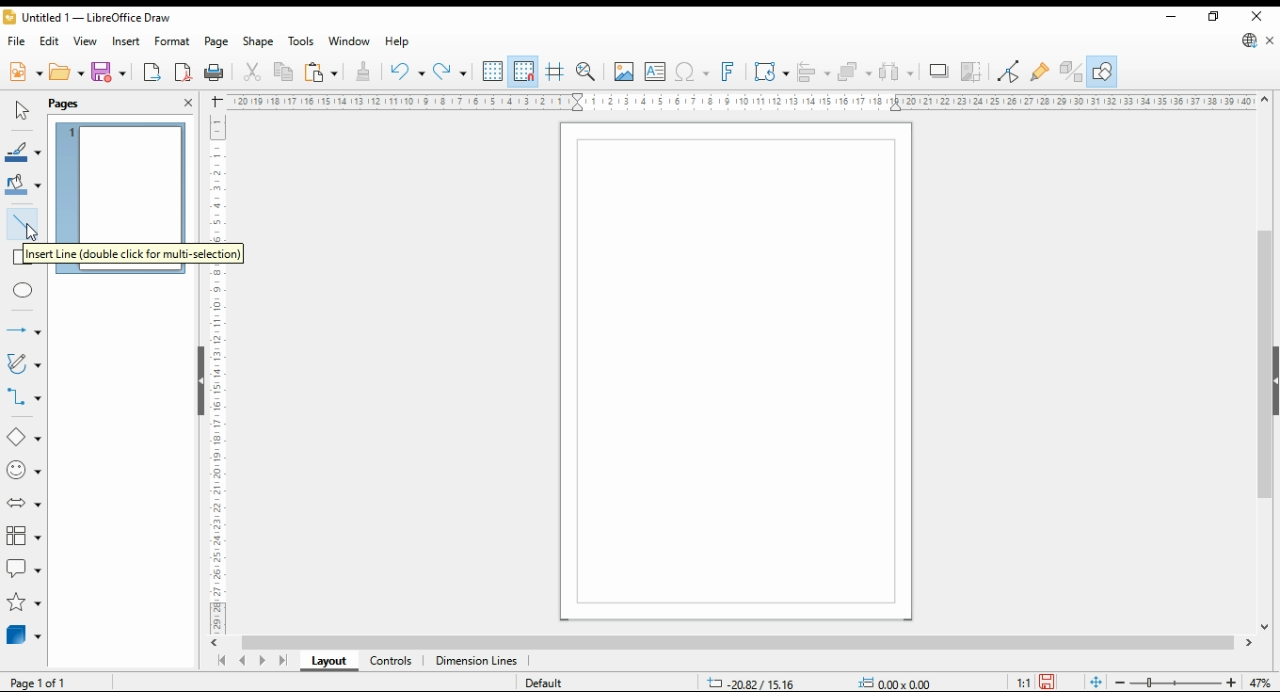 The image size is (1280, 692). What do you see at coordinates (284, 662) in the screenshot?
I see `last page` at bounding box center [284, 662].